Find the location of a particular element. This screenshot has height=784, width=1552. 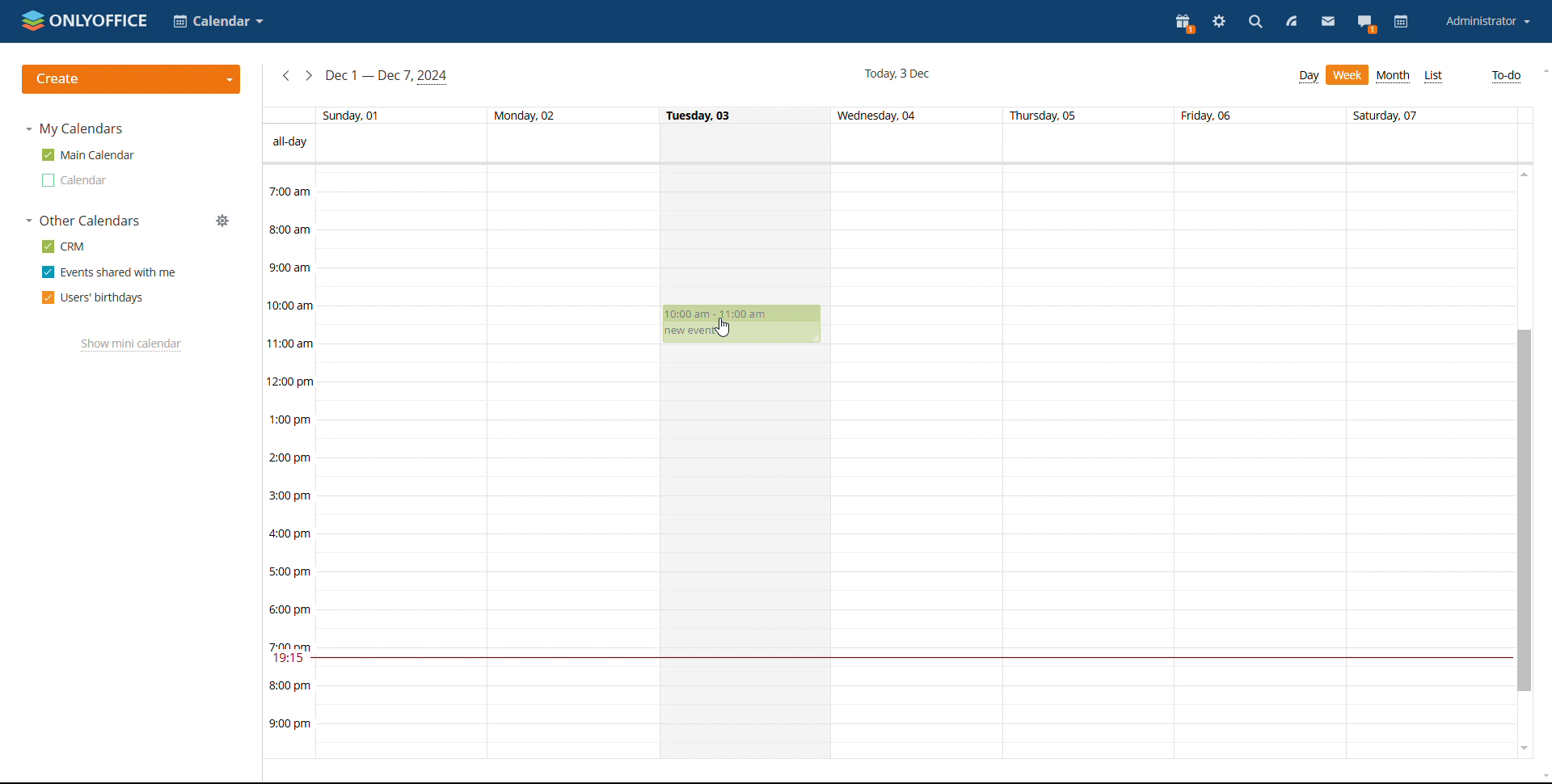

next week is located at coordinates (310, 76).